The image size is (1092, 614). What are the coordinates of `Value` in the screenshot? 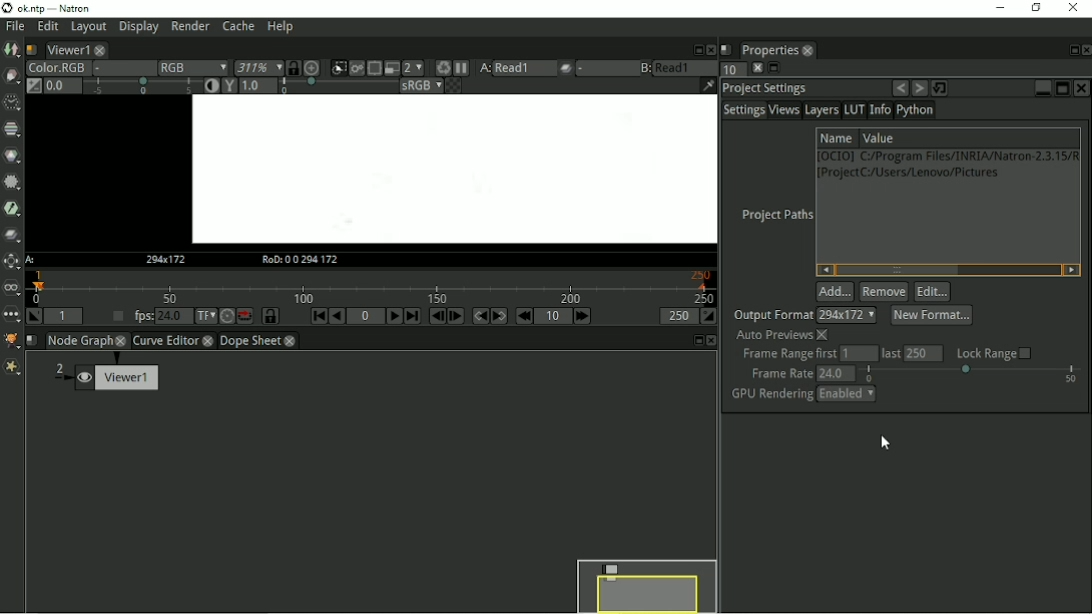 It's located at (880, 137).